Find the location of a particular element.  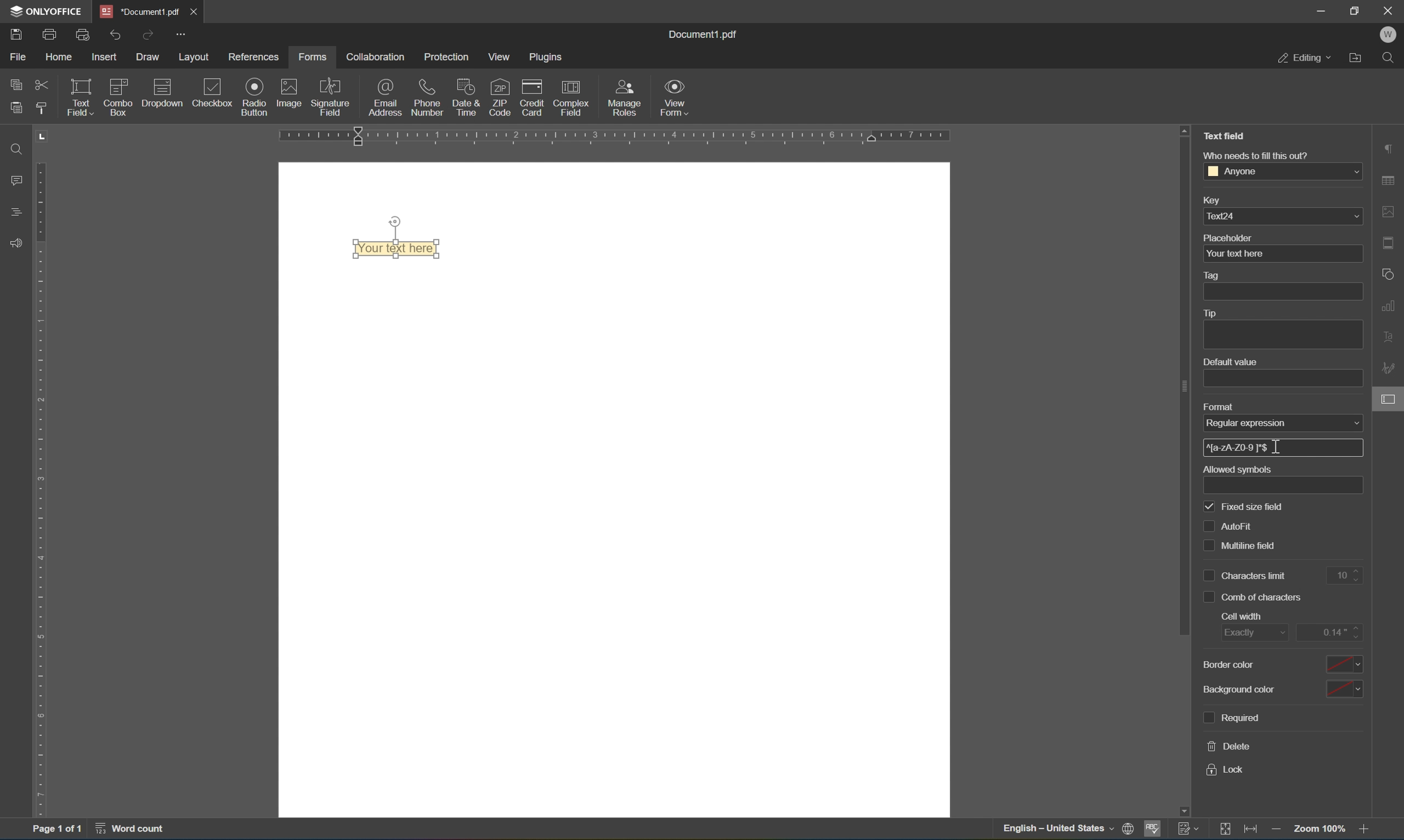

close is located at coordinates (1390, 9).